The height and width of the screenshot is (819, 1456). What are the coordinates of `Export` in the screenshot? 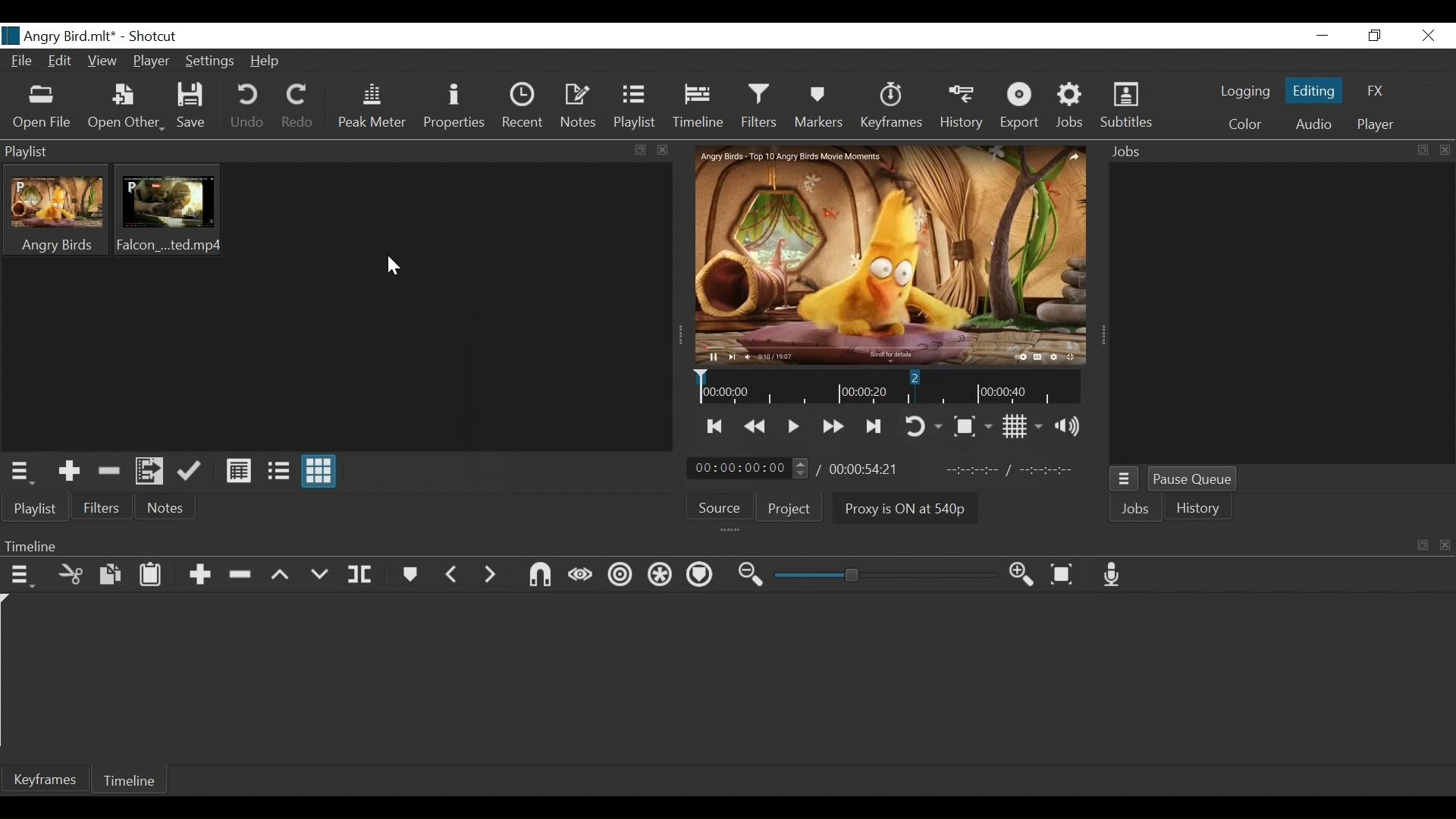 It's located at (1021, 106).